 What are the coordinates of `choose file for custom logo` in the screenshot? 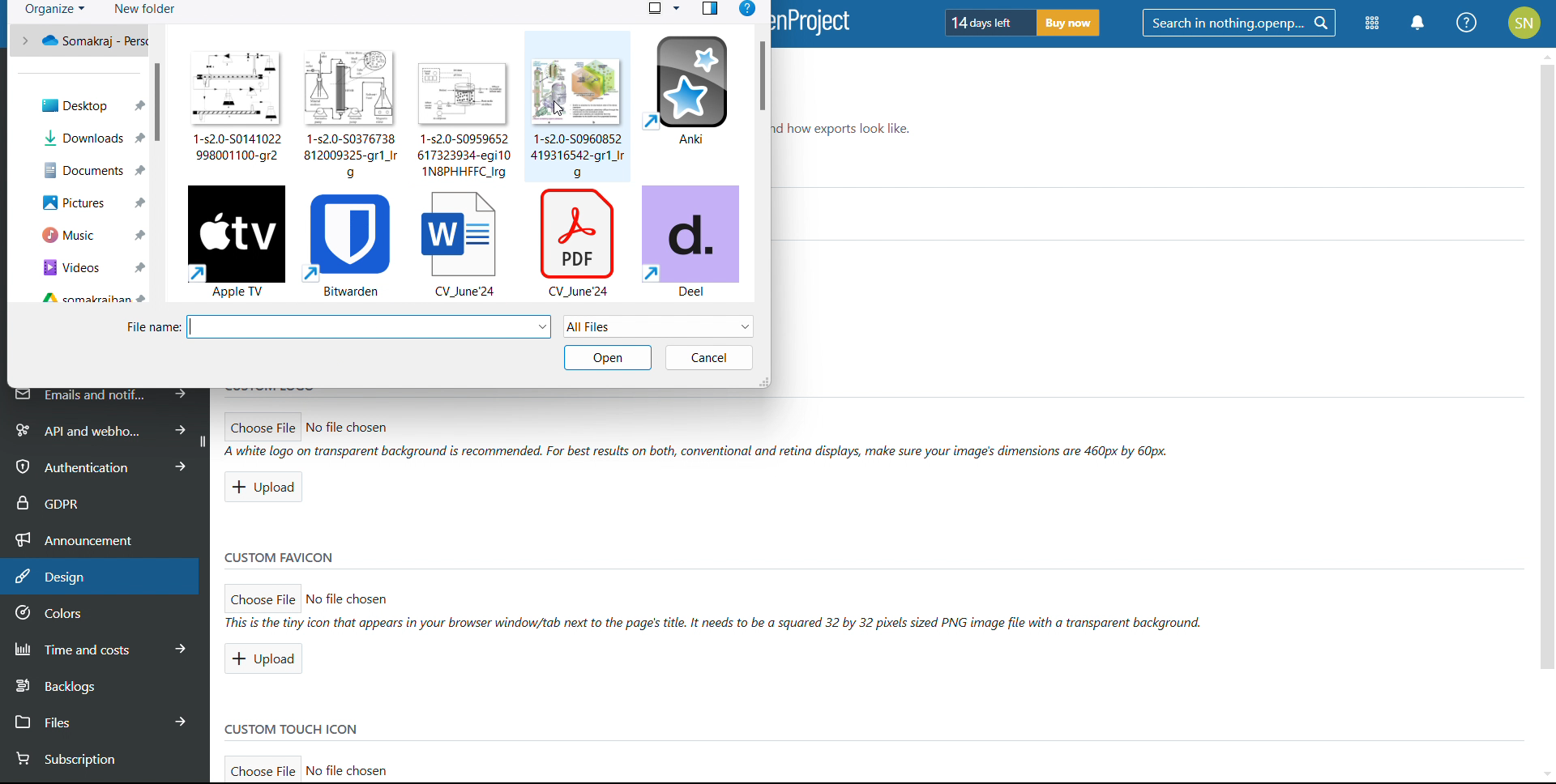 It's located at (263, 425).